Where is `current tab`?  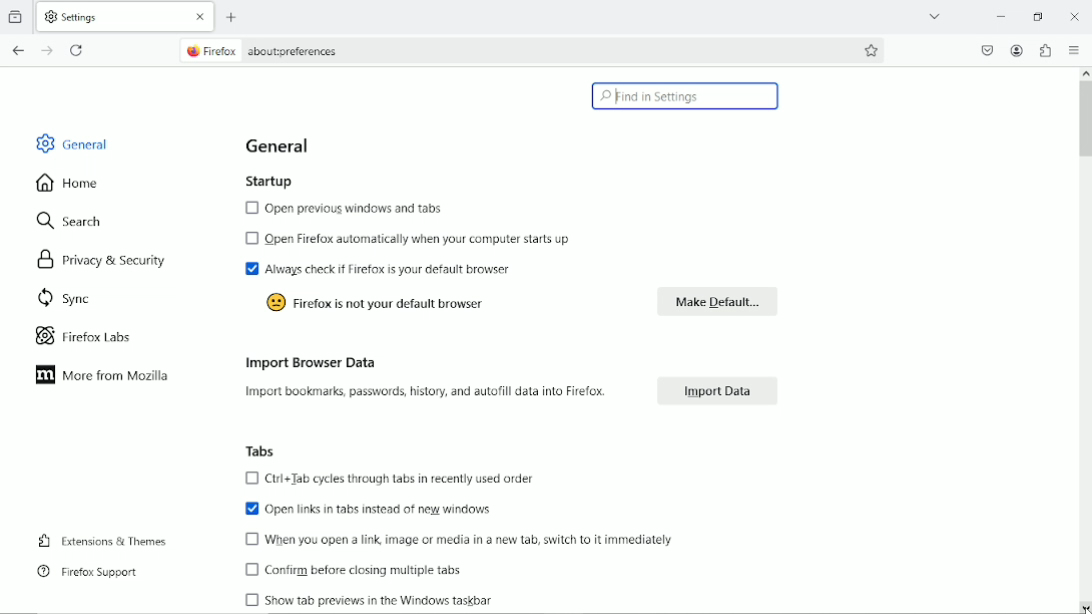
current tab is located at coordinates (126, 16).